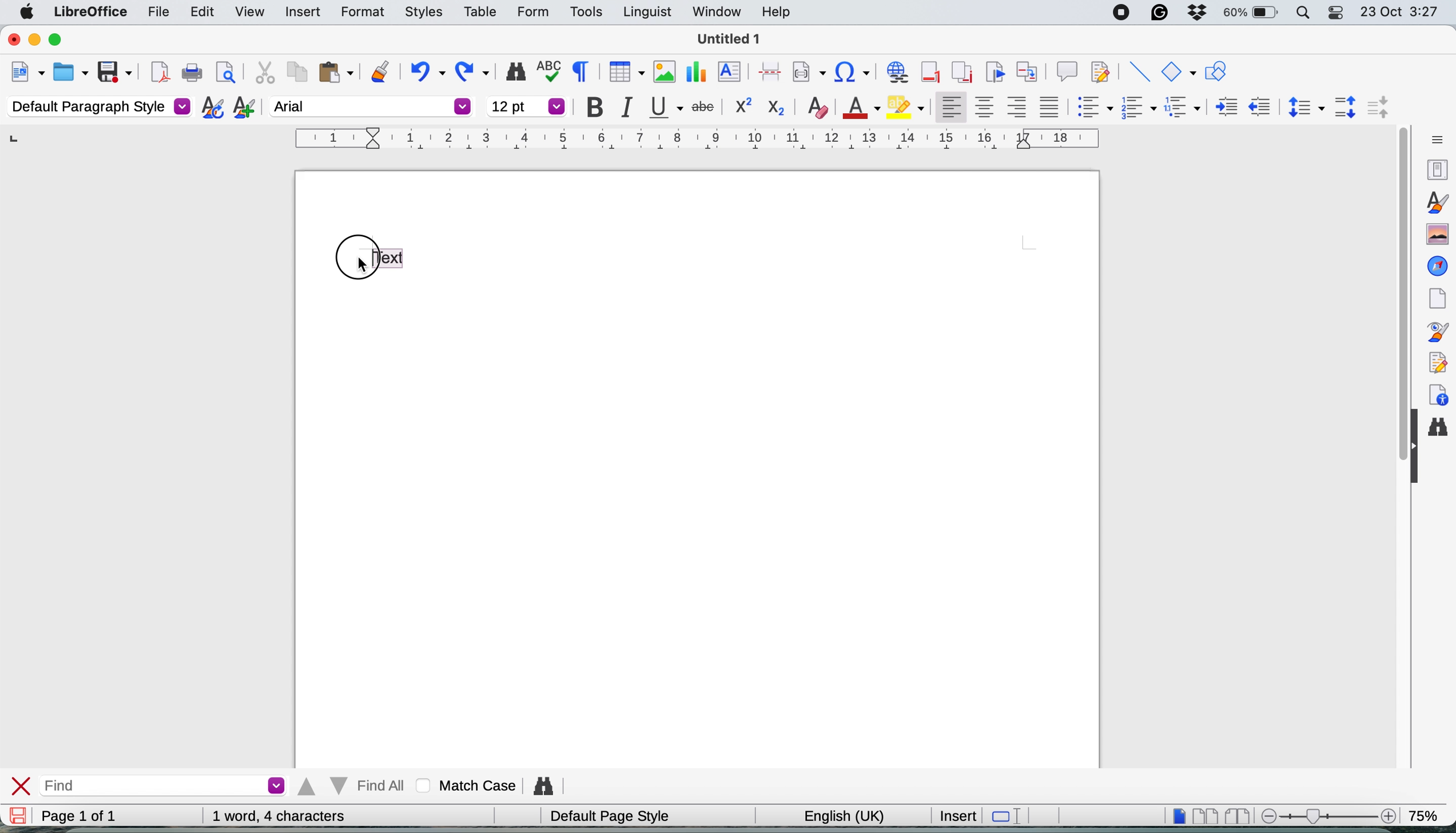 The width and height of the screenshot is (1456, 833). I want to click on find and replace, so click(1442, 433).